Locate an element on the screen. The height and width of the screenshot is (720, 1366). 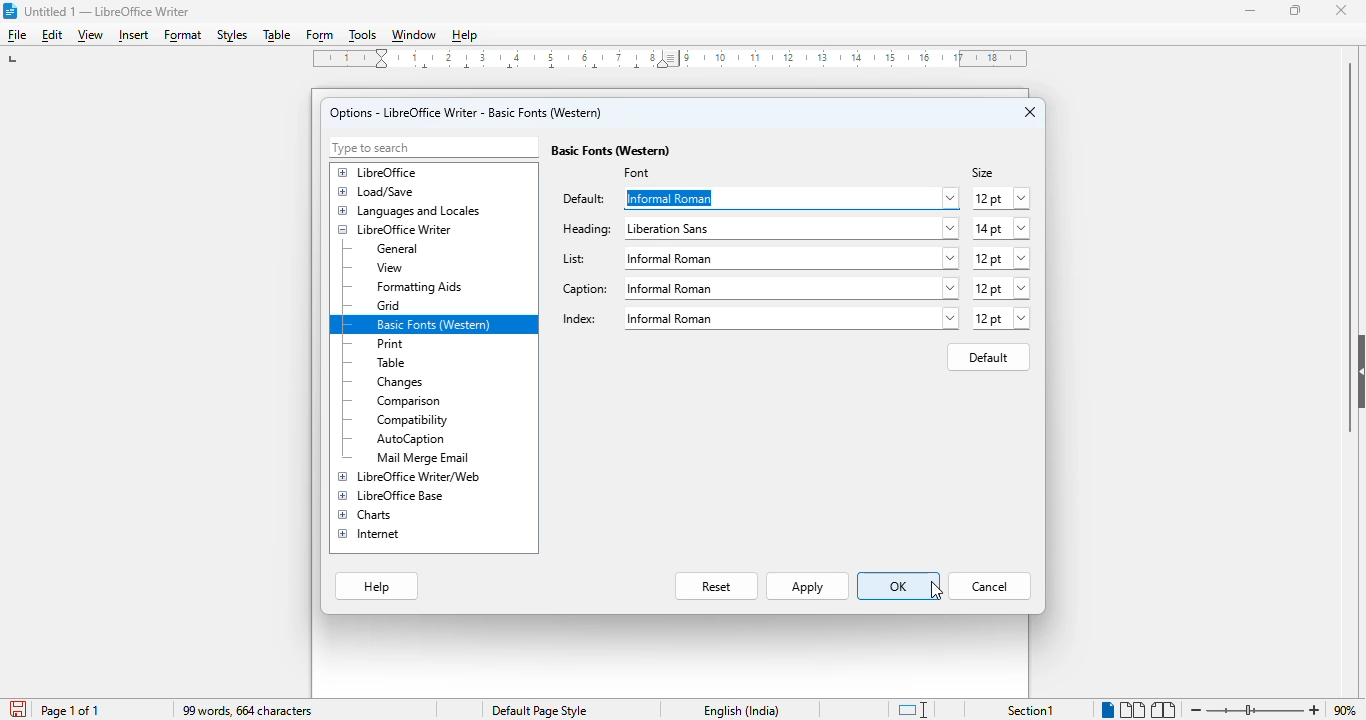
cancel is located at coordinates (989, 586).